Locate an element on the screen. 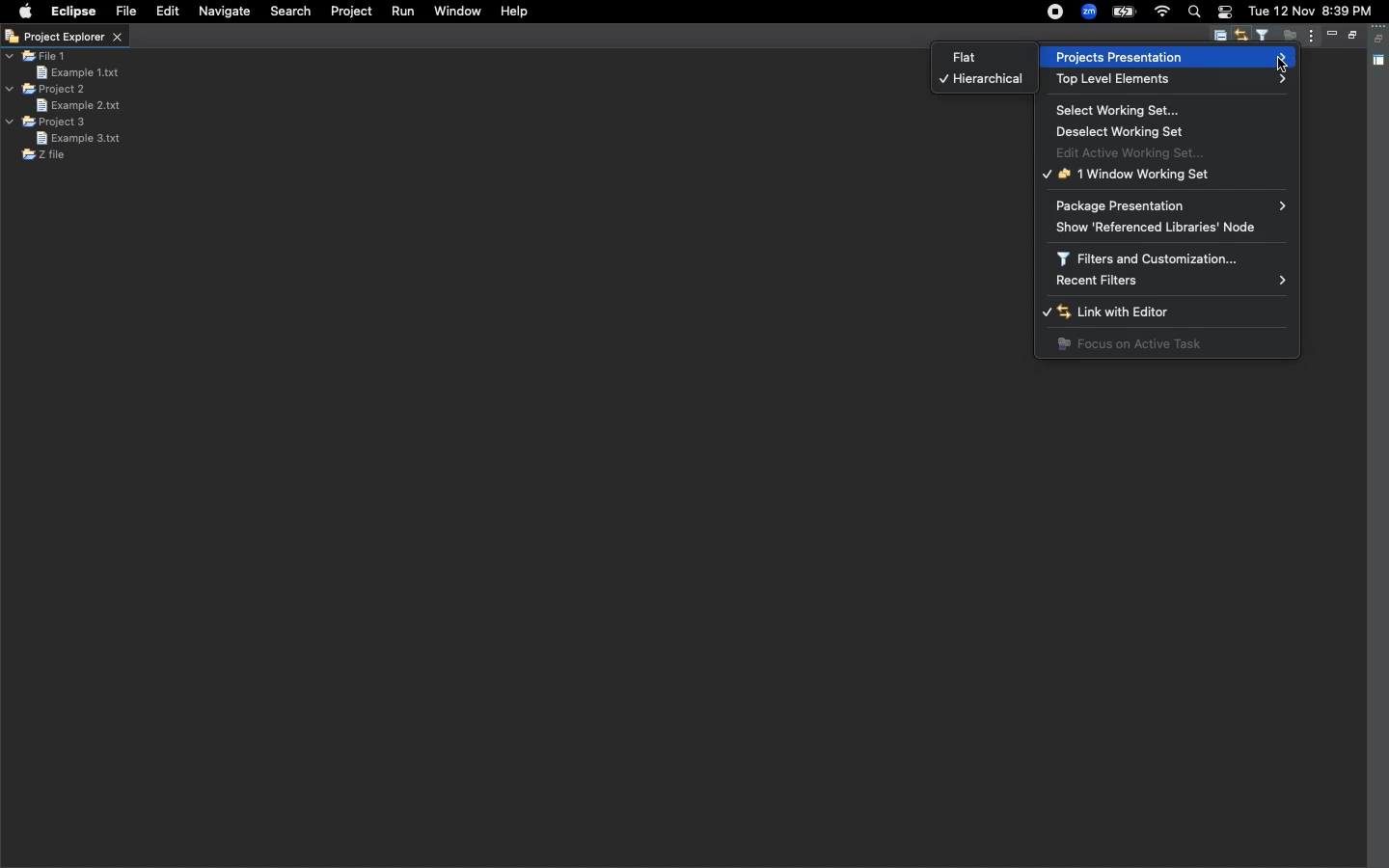 The height and width of the screenshot is (868, 1389). Example 2.txt is located at coordinates (77, 105).